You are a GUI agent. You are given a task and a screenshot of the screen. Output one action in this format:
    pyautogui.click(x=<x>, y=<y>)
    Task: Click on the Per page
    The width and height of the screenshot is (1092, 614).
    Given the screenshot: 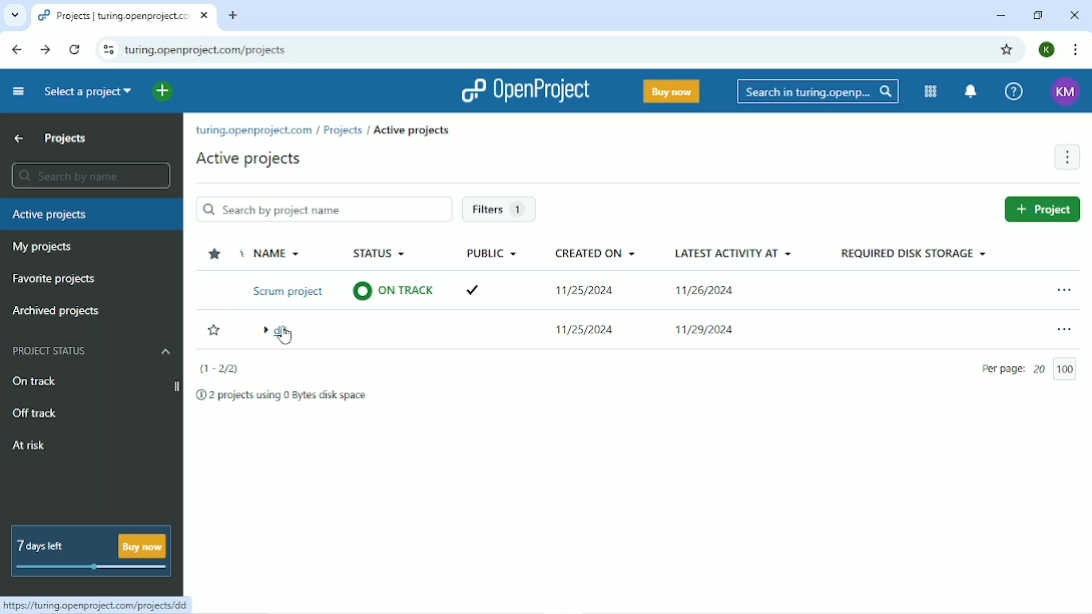 What is the action you would take?
    pyautogui.click(x=1031, y=368)
    